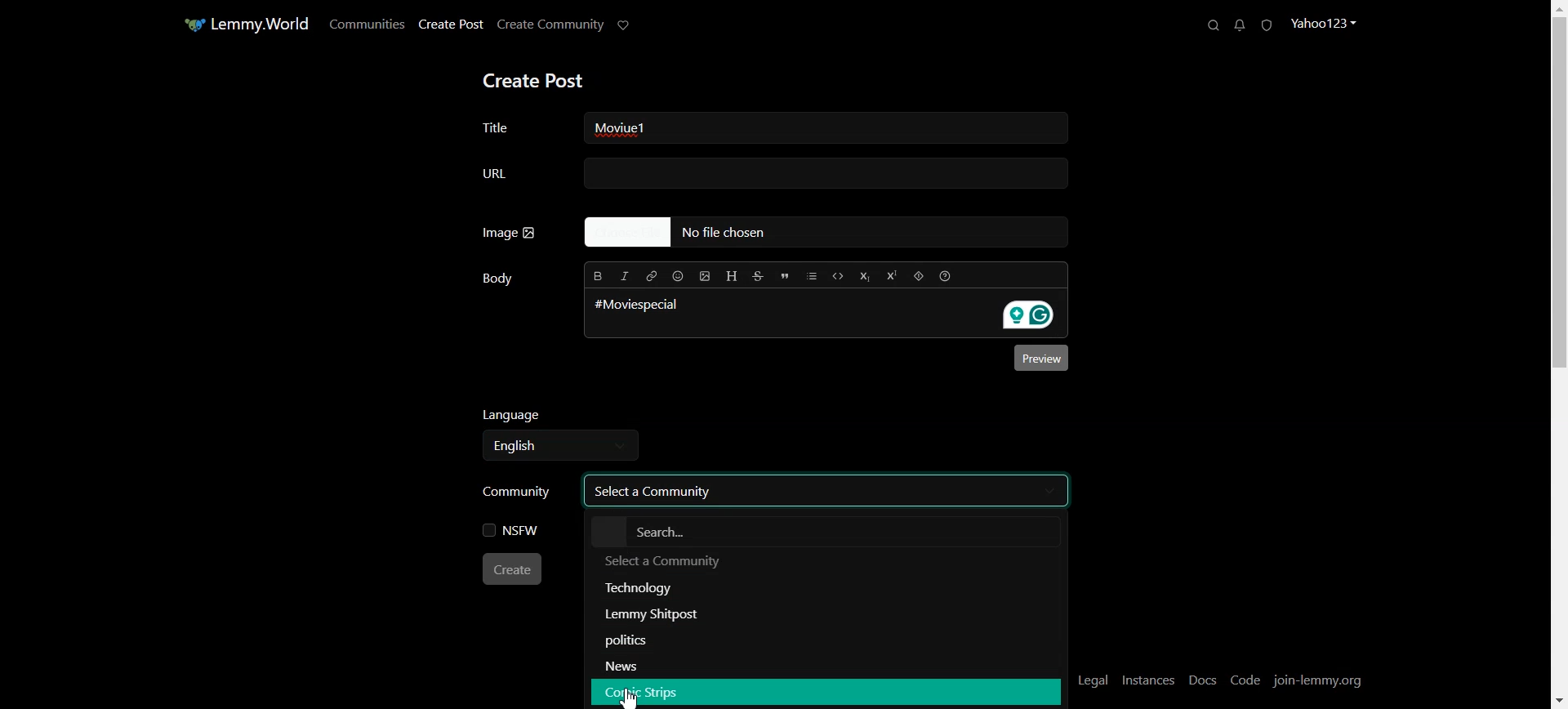 This screenshot has height=709, width=1568. What do you see at coordinates (526, 493) in the screenshot?
I see `Community` at bounding box center [526, 493].